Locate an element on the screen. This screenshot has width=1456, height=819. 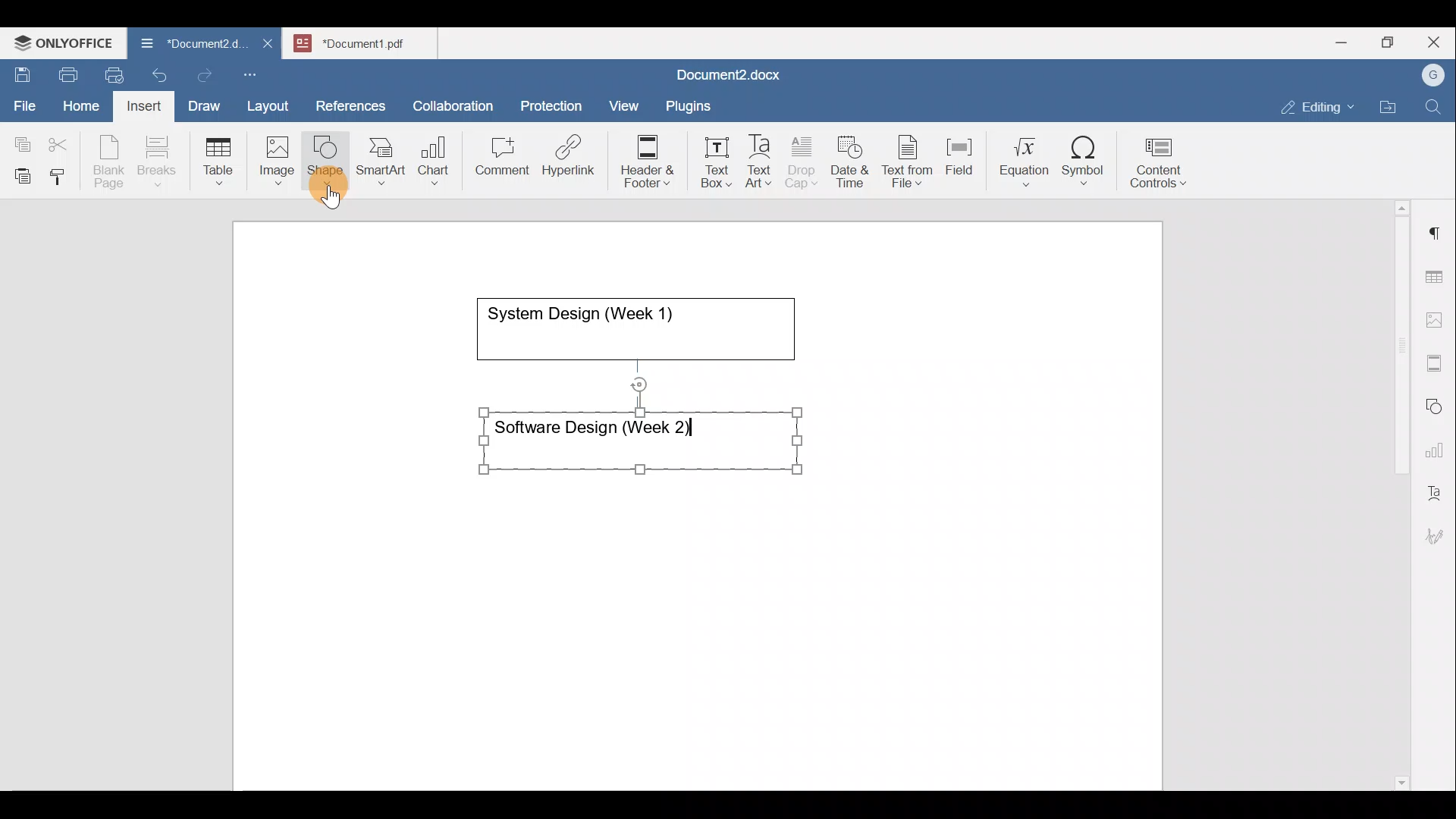
Collaboration is located at coordinates (450, 98).